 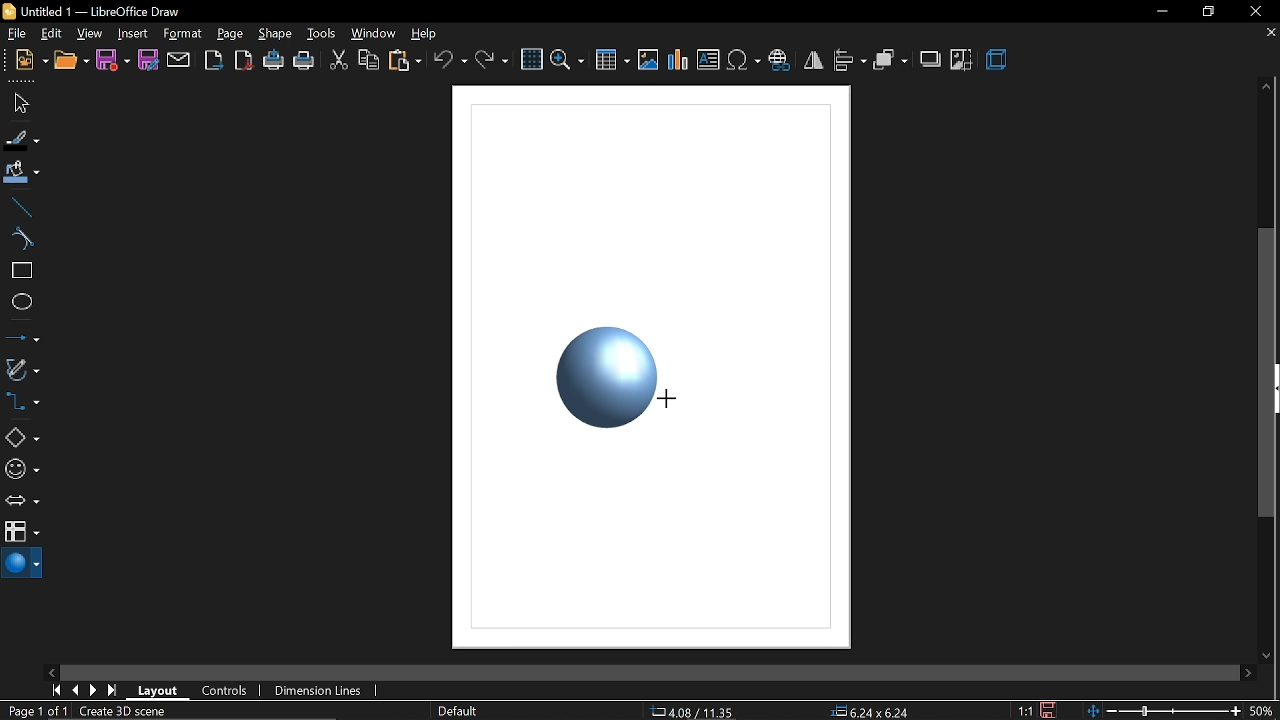 I want to click on print directly, so click(x=274, y=62).